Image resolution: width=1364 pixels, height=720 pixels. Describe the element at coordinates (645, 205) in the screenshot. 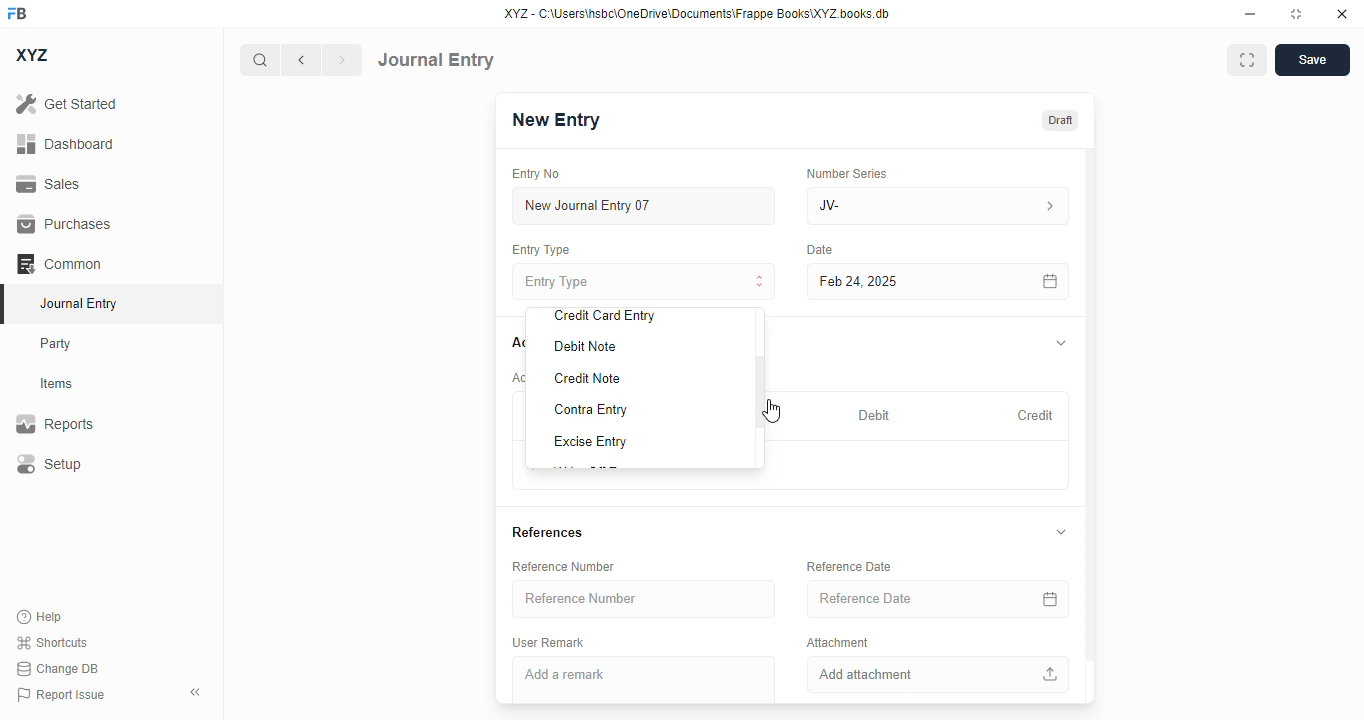

I see `new journal entry 07` at that location.